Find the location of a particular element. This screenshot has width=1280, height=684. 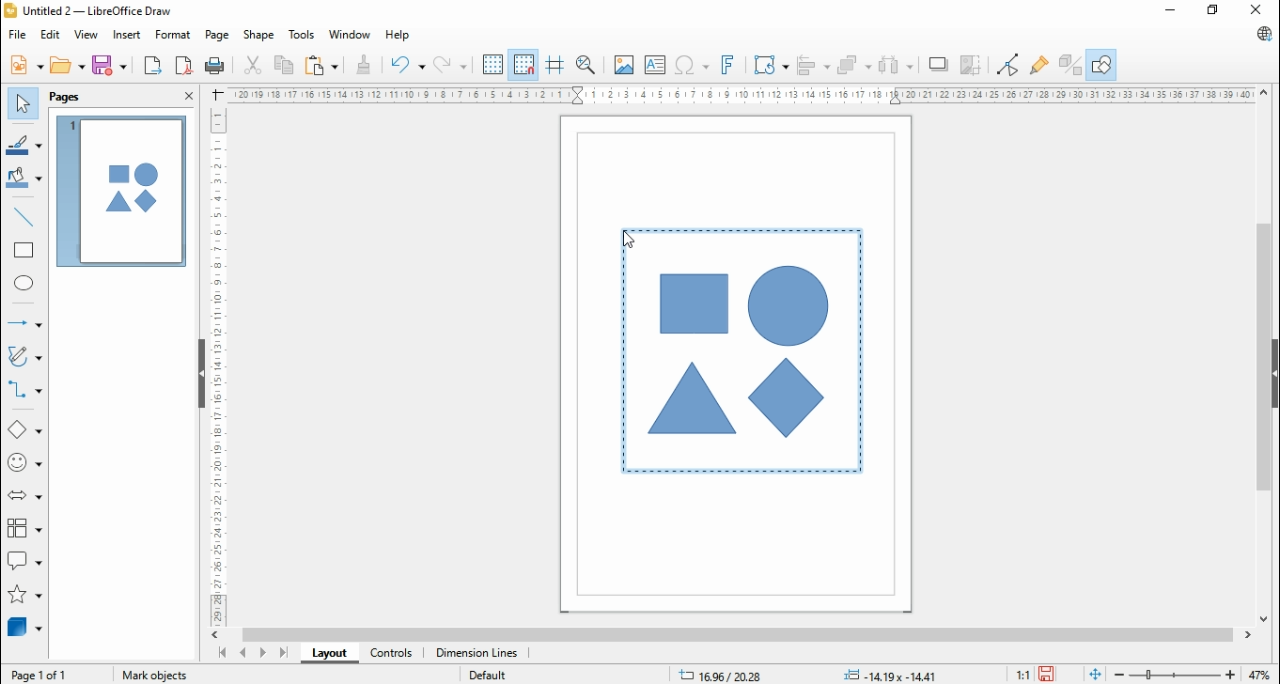

scroll bar is located at coordinates (1264, 355).